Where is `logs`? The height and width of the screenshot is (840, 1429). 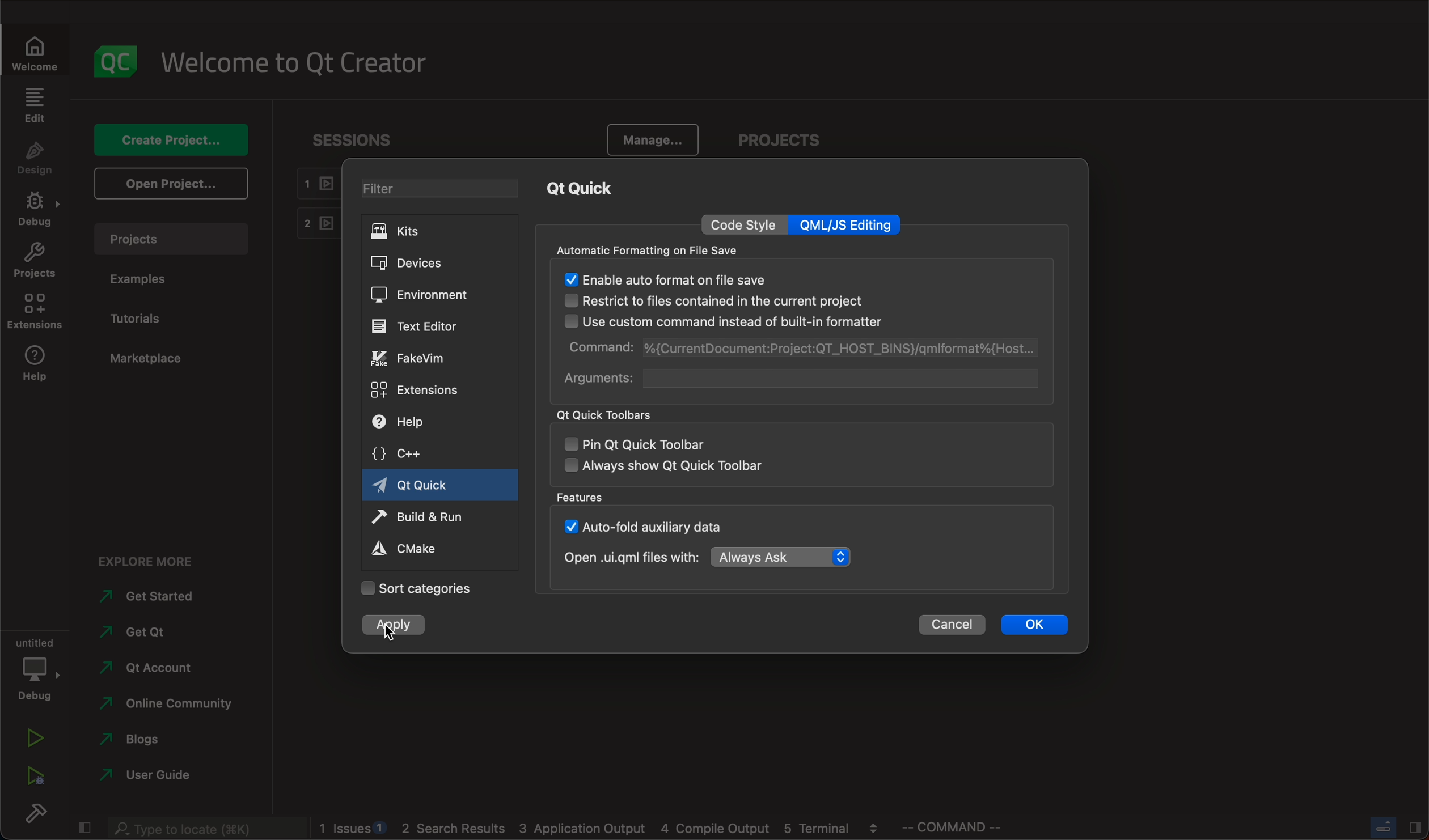
logs is located at coordinates (603, 830).